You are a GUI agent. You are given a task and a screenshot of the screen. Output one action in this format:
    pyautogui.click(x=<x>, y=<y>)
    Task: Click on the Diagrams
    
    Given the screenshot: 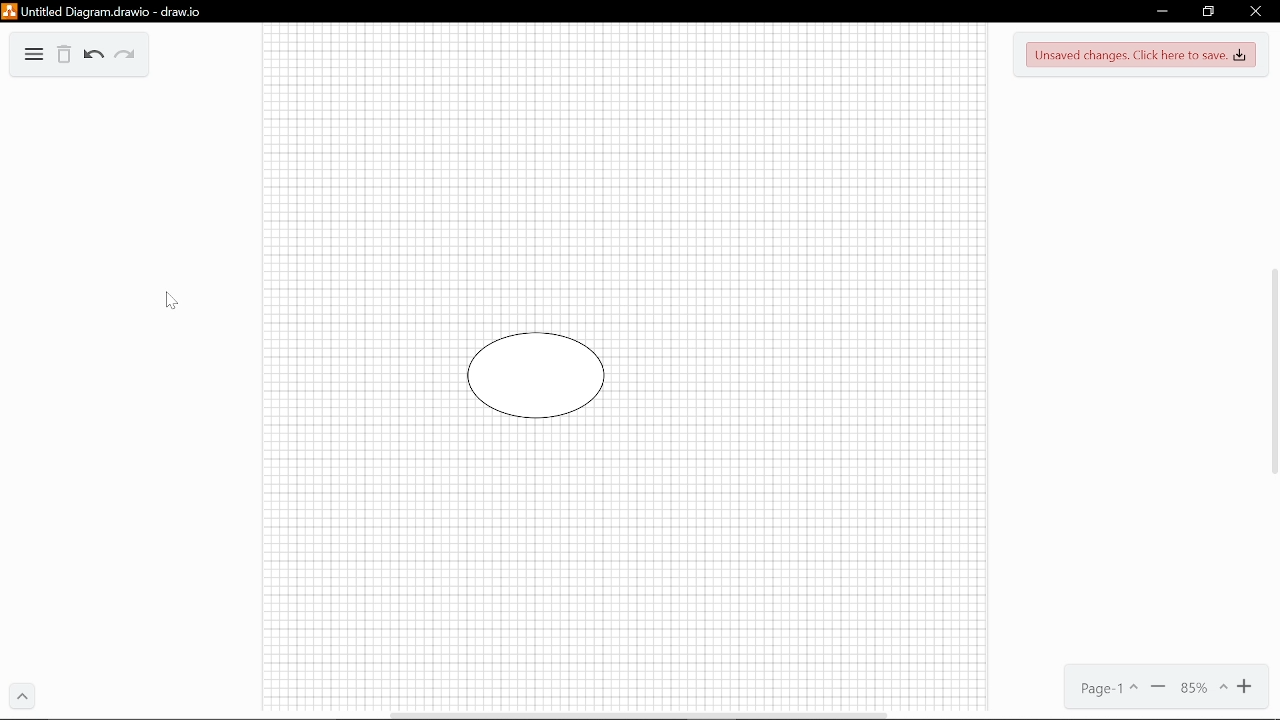 What is the action you would take?
    pyautogui.click(x=34, y=57)
    